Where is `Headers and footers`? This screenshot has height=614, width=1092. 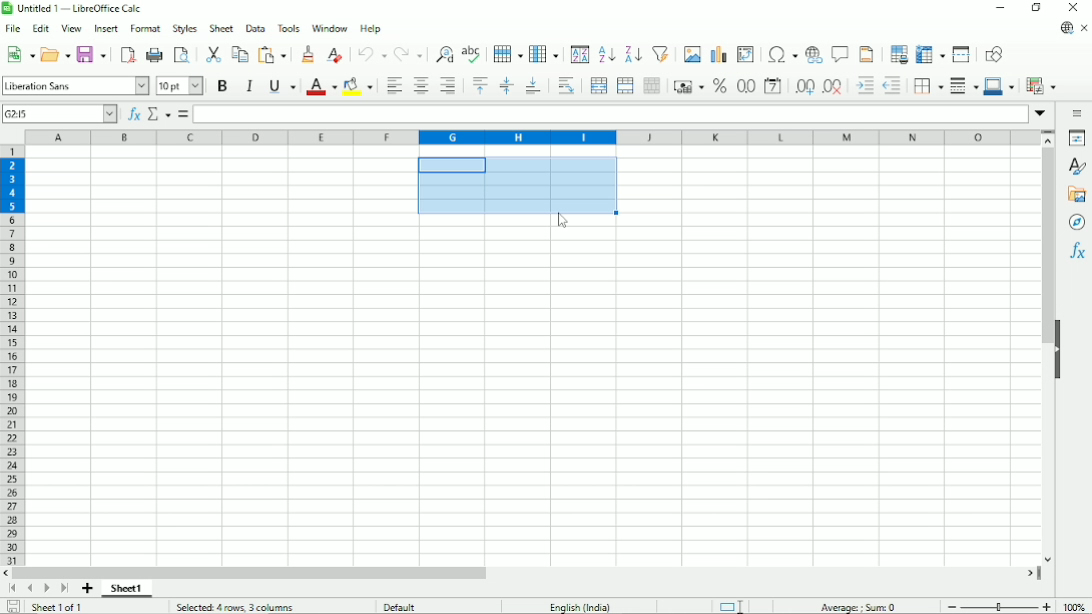 Headers and footers is located at coordinates (866, 53).